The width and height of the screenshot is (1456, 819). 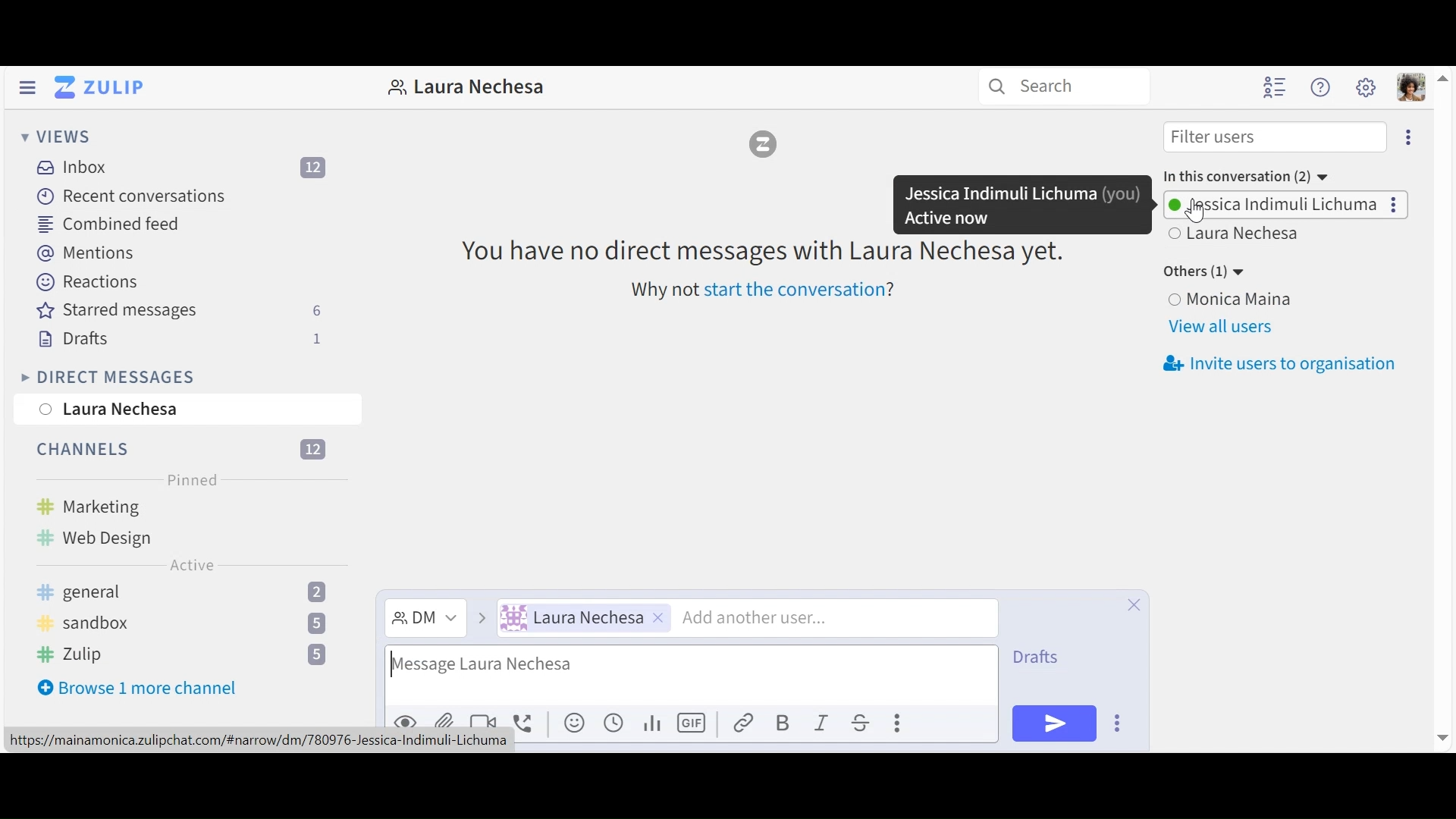 I want to click on Filter users, so click(x=1277, y=137).